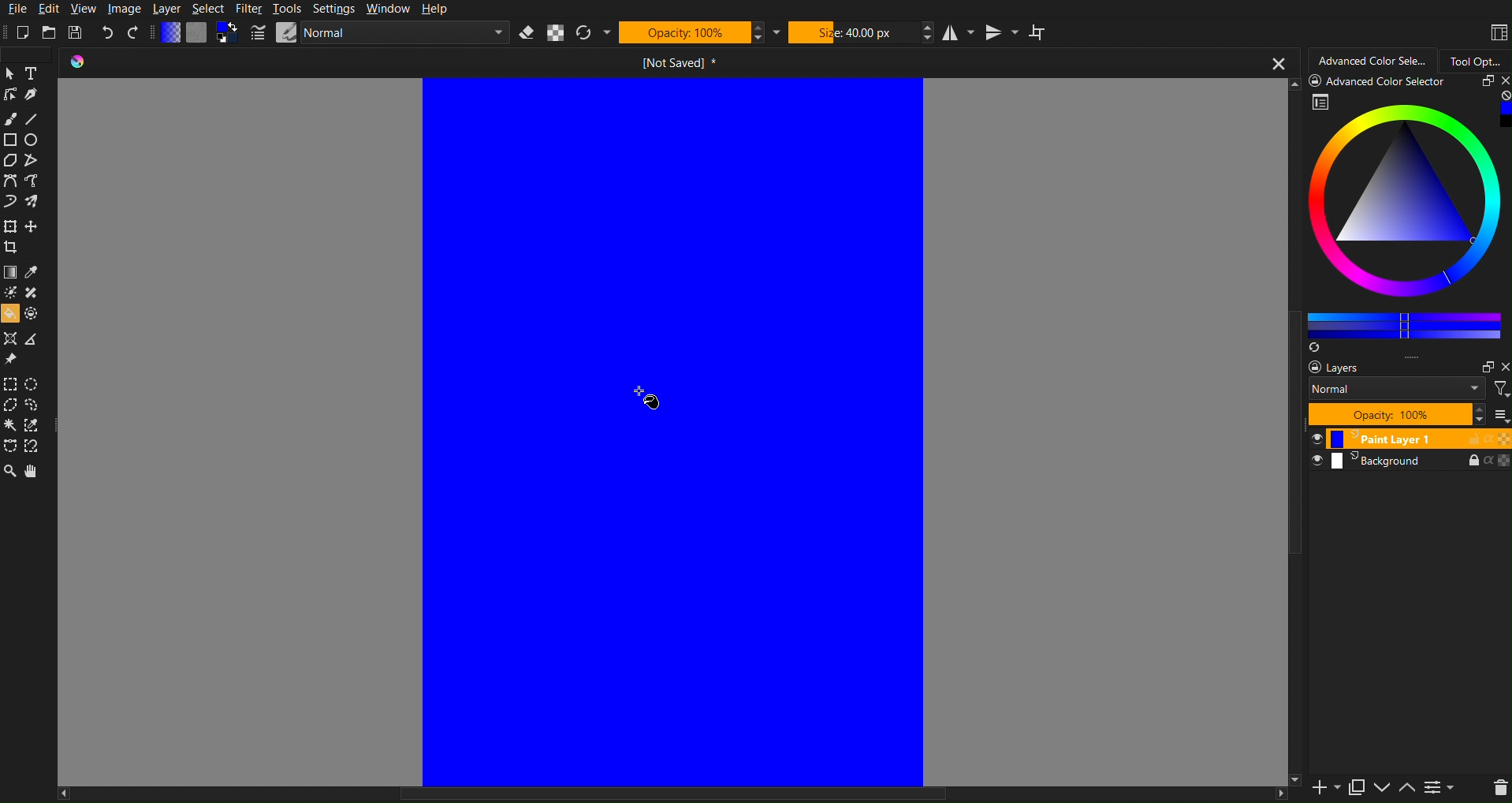 The image size is (1512, 803). I want to click on properties, so click(1321, 102).